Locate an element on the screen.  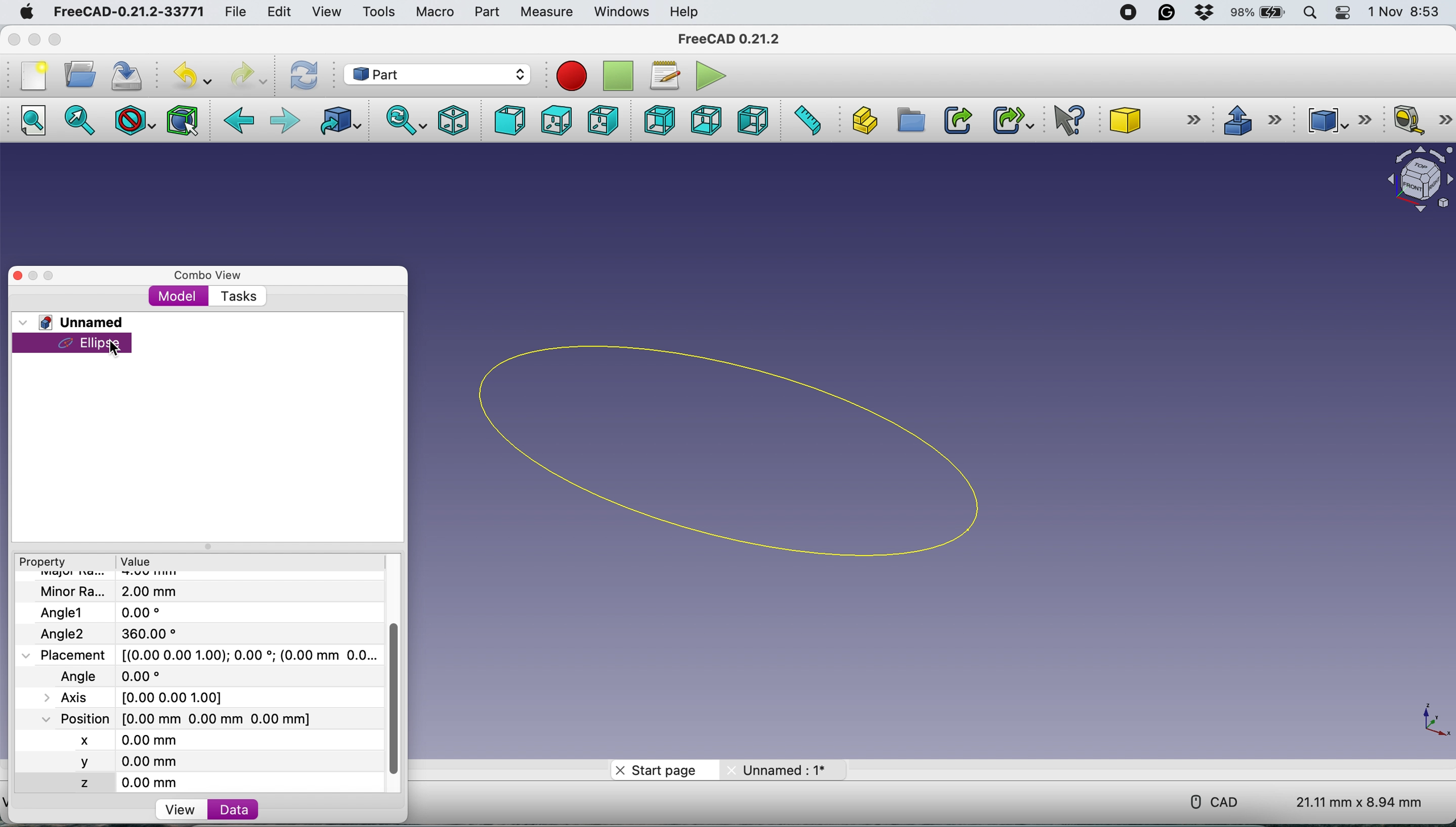
measure linear is located at coordinates (1419, 120).